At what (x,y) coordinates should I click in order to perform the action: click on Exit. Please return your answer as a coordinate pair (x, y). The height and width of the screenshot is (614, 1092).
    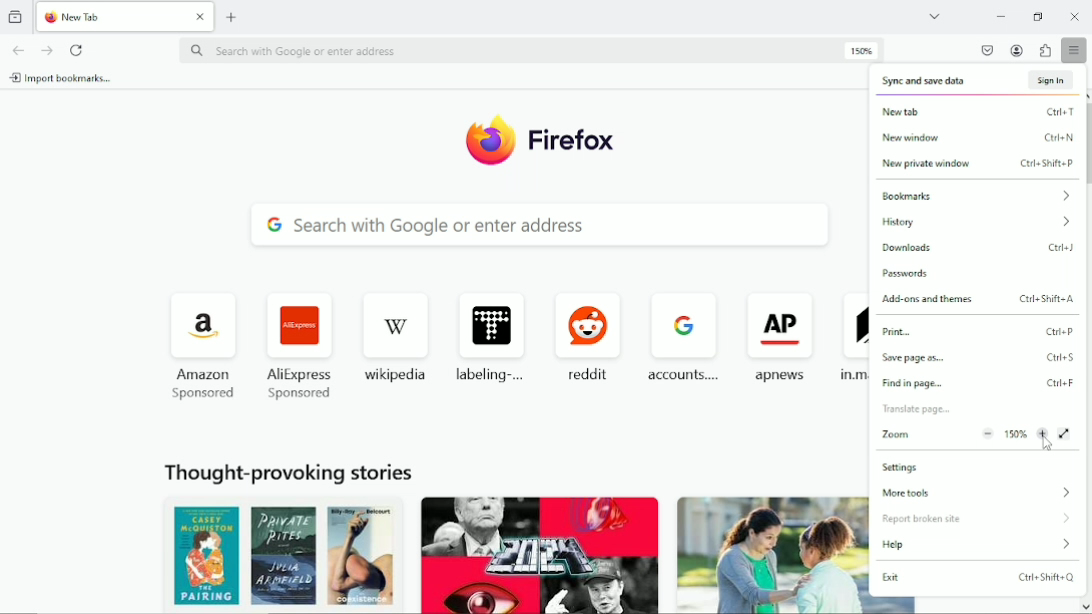
    Looking at the image, I should click on (981, 579).